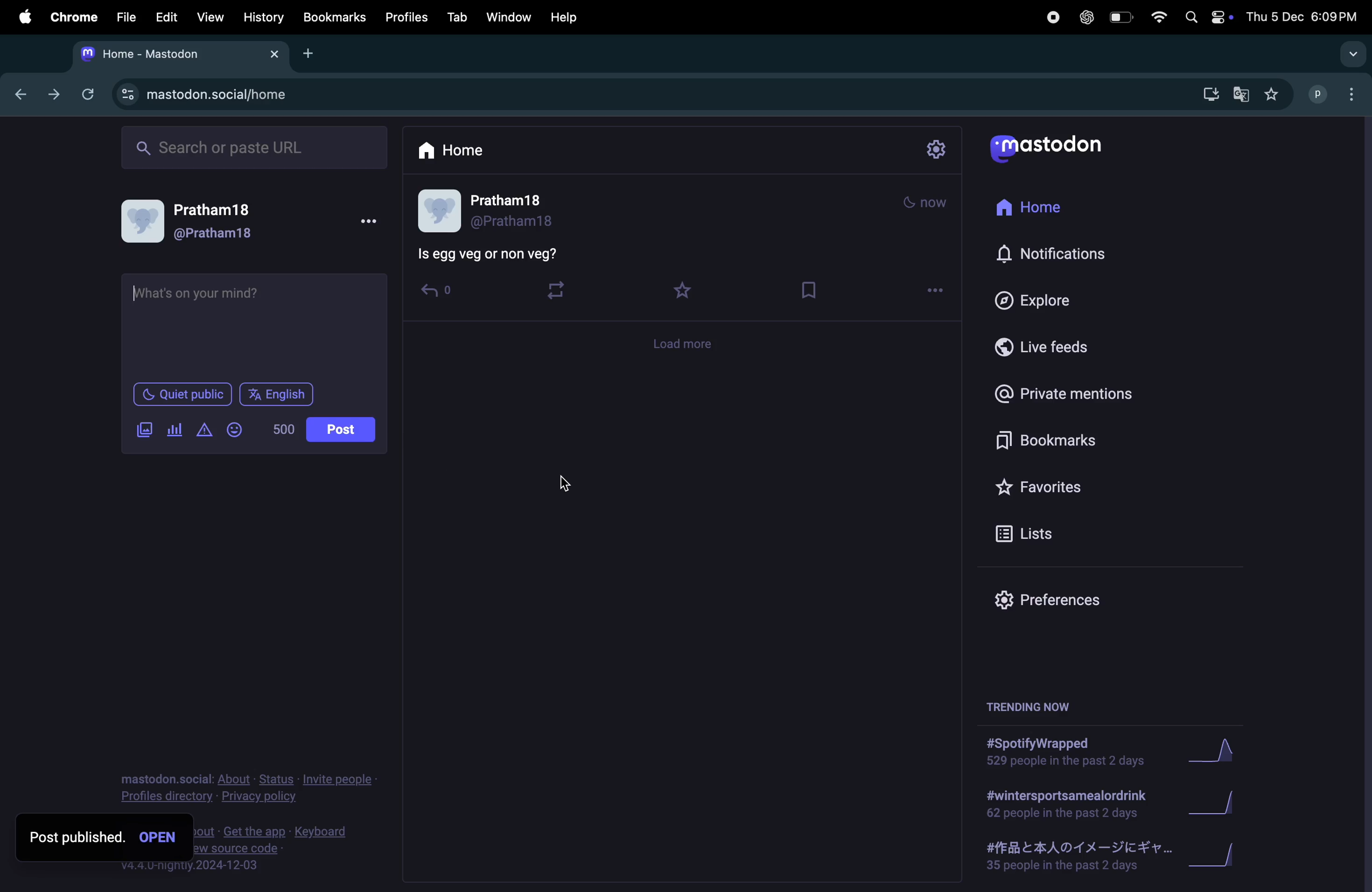 The width and height of the screenshot is (1372, 892). What do you see at coordinates (241, 789) in the screenshot?
I see `privacy` at bounding box center [241, 789].